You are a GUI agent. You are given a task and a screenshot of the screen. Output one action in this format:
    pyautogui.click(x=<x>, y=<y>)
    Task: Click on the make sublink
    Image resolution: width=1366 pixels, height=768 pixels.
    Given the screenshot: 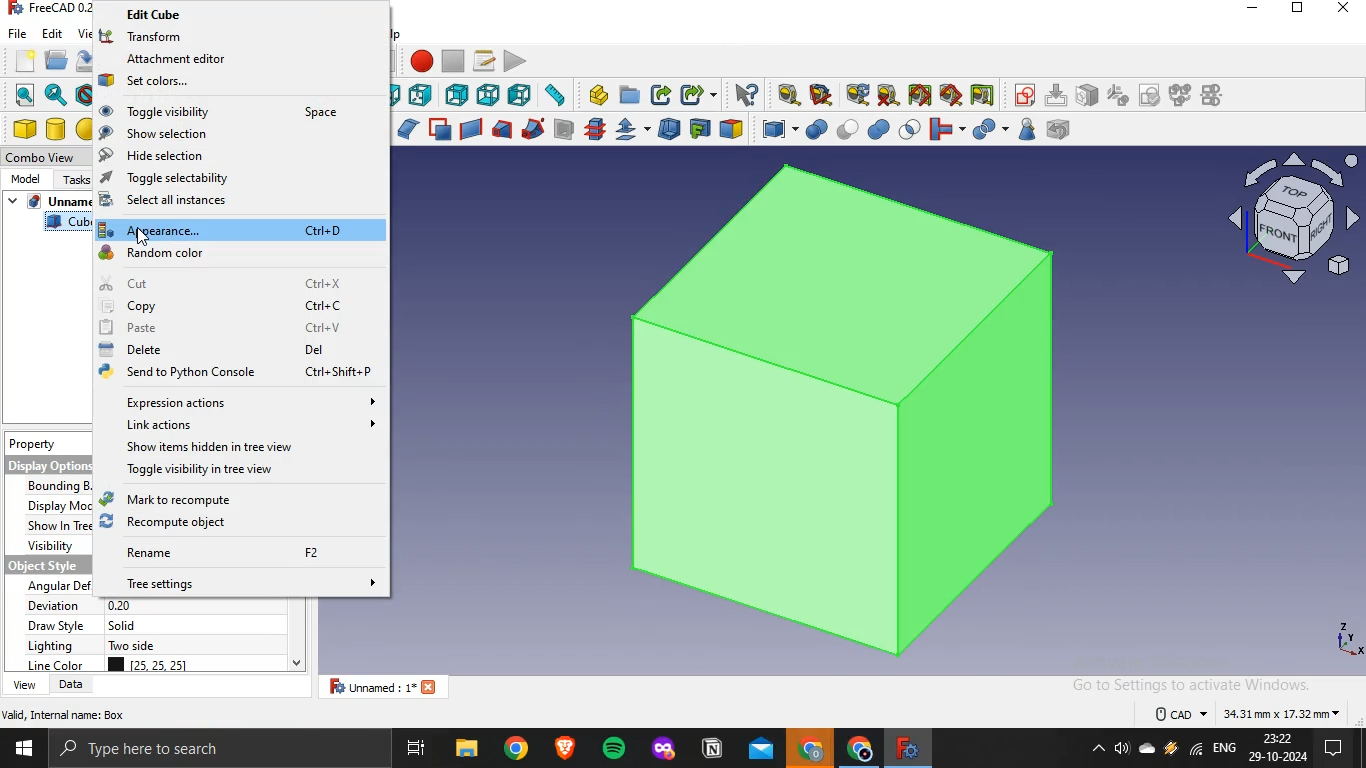 What is the action you would take?
    pyautogui.click(x=694, y=95)
    